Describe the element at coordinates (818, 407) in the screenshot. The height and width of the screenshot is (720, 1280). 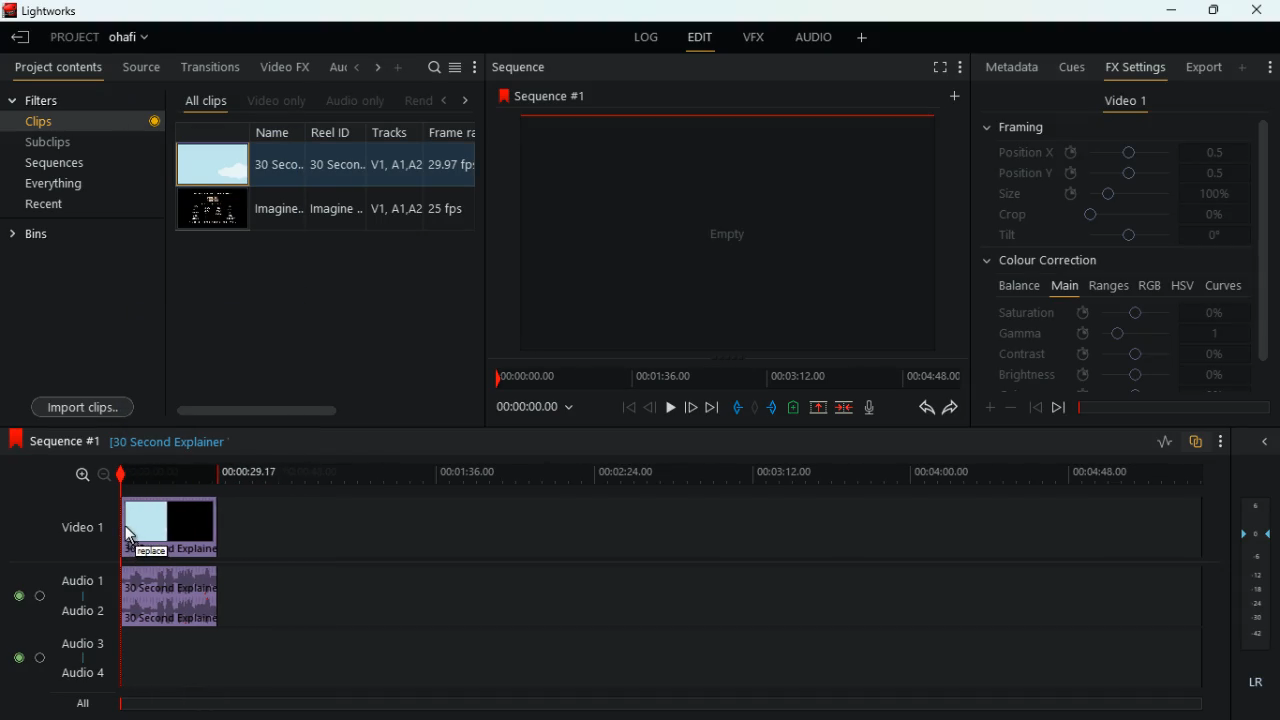
I see `up` at that location.